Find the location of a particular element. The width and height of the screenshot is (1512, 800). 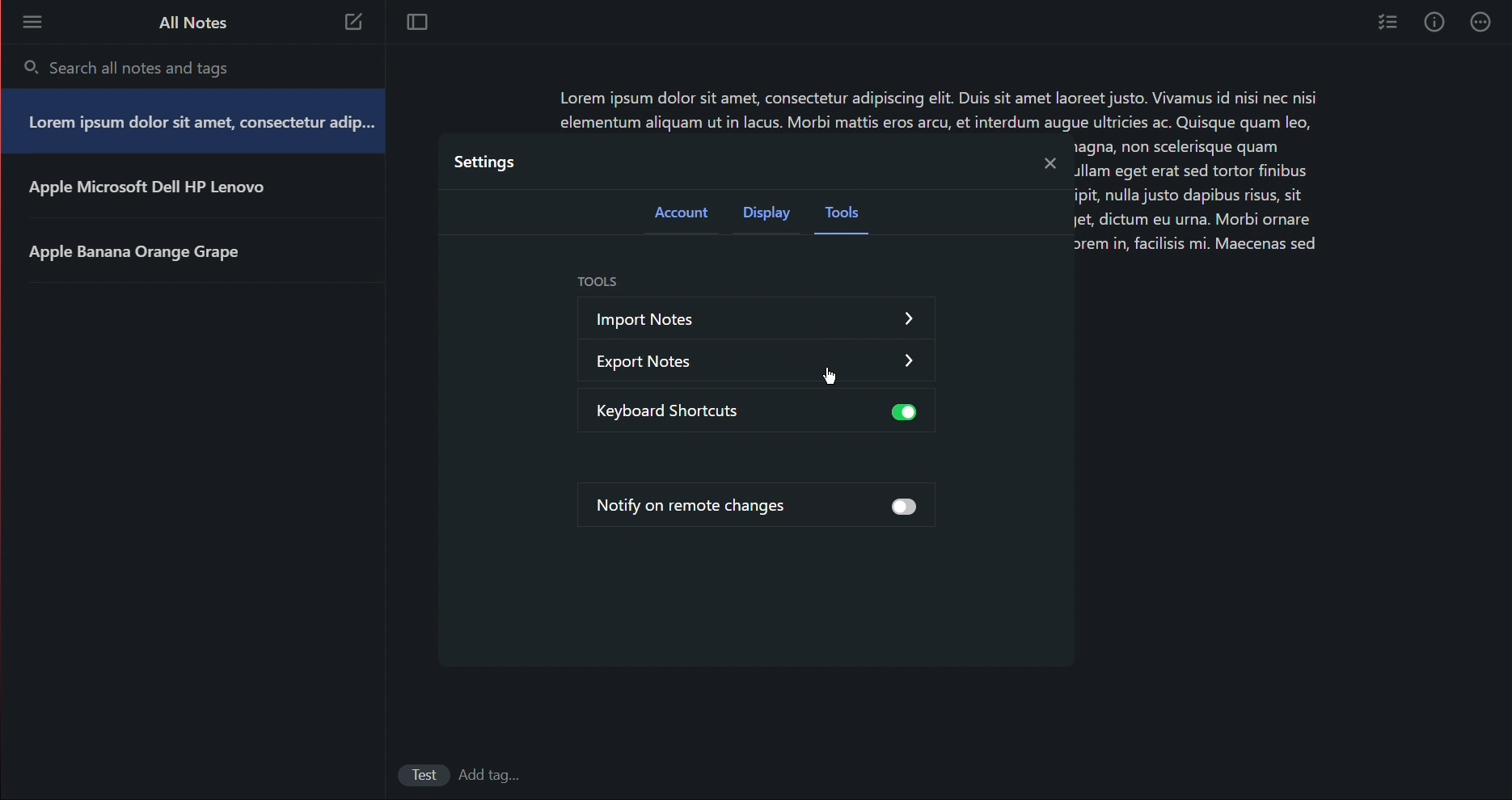

Notify on remote changes is located at coordinates (705, 503).